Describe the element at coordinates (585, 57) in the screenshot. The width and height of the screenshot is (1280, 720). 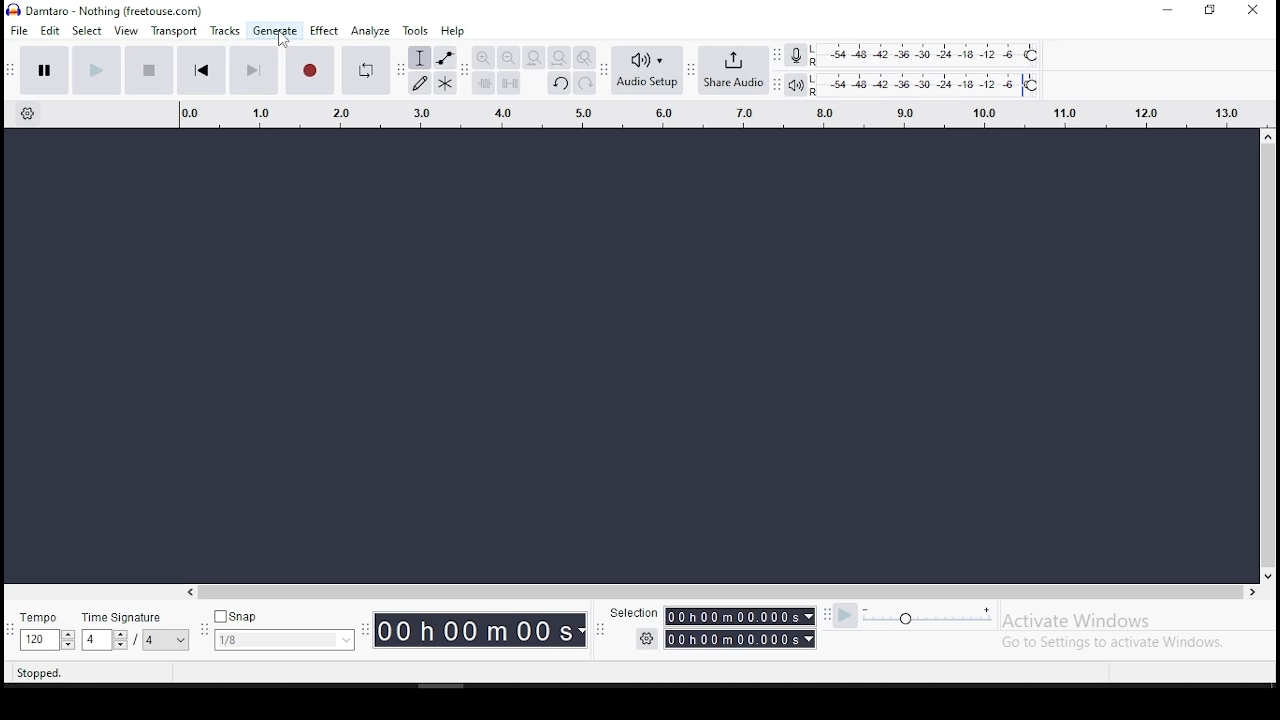
I see `zoom toggle` at that location.